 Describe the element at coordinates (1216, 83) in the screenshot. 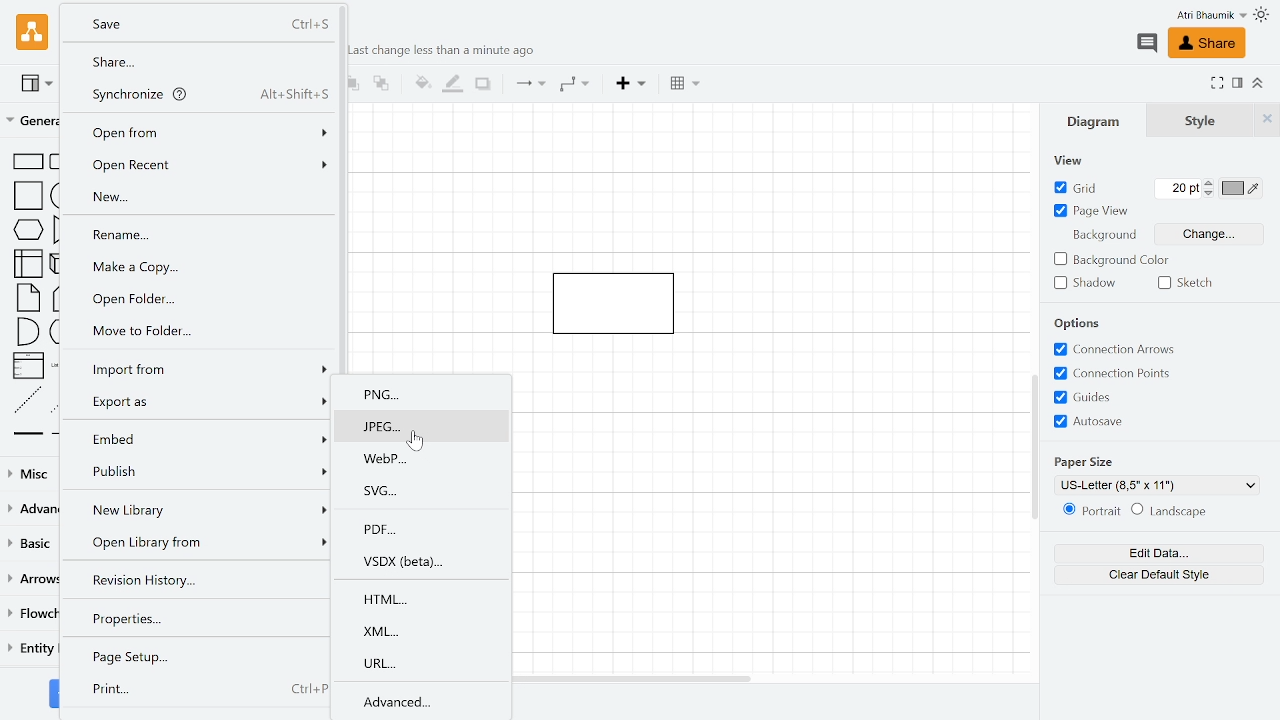

I see `Fullscreen` at that location.